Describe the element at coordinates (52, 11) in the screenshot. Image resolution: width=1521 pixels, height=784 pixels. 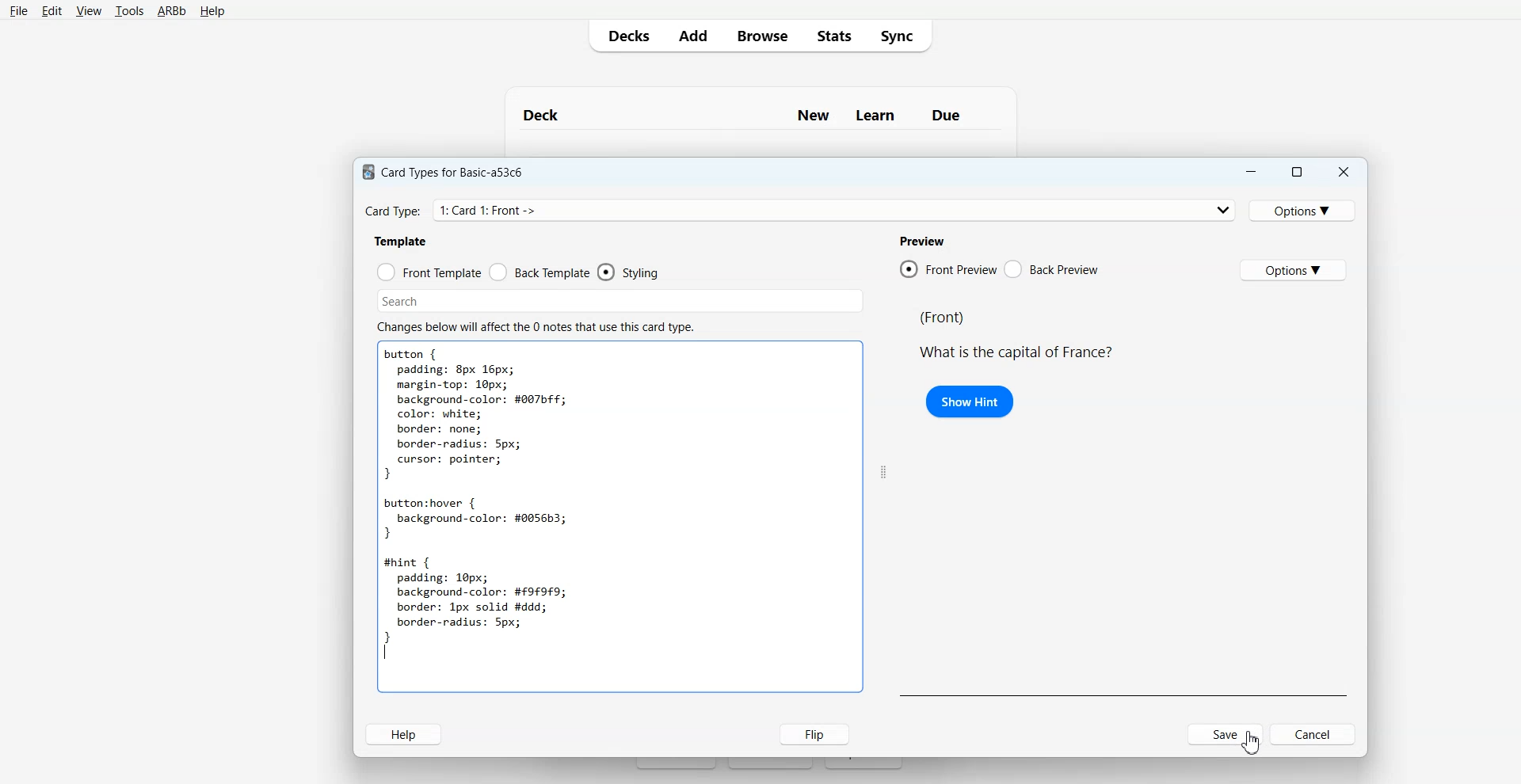
I see `Edit` at that location.